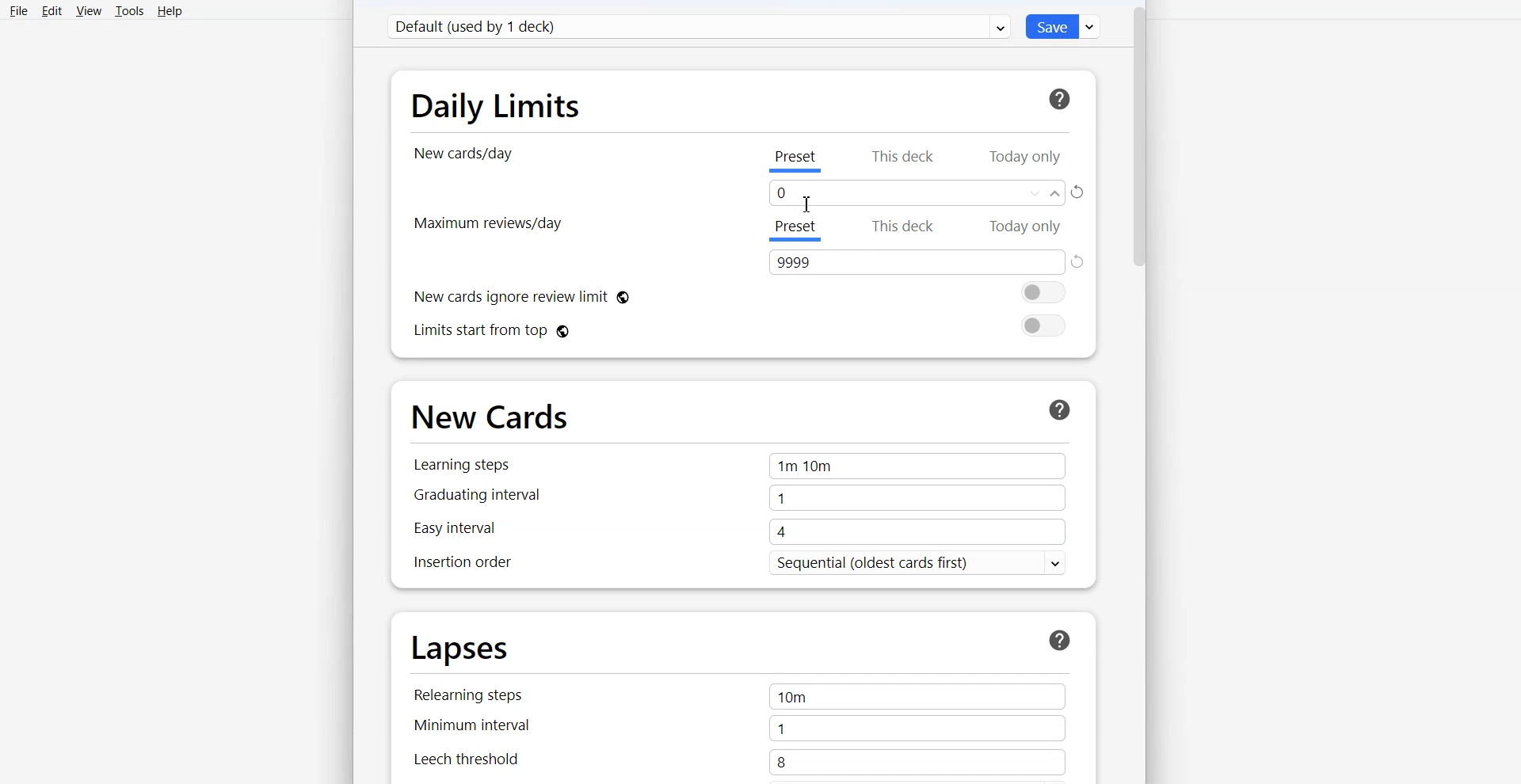 The width and height of the screenshot is (1521, 784). Describe the element at coordinates (909, 228) in the screenshot. I see `This deck` at that location.